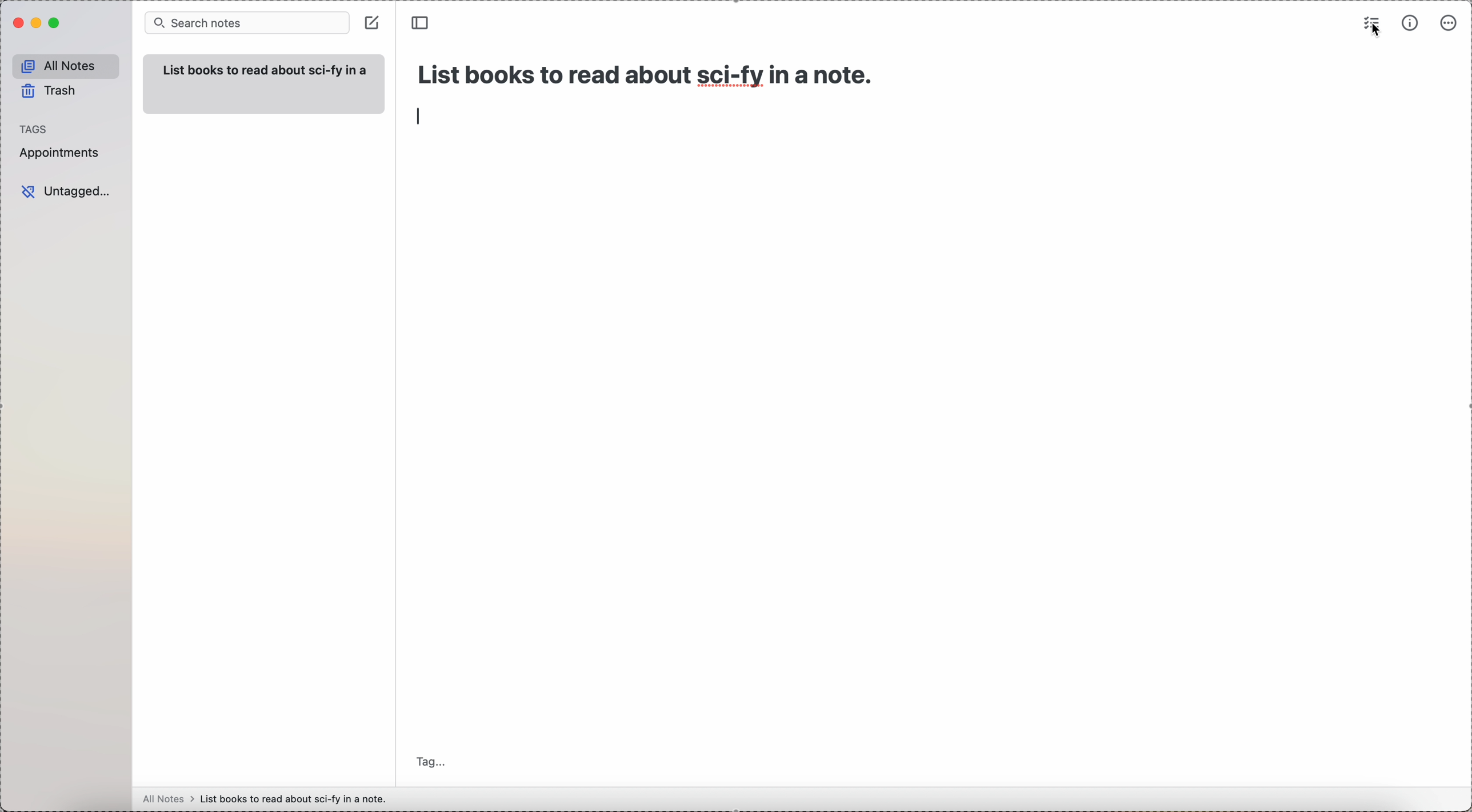 The height and width of the screenshot is (812, 1472). What do you see at coordinates (246, 23) in the screenshot?
I see `search bar` at bounding box center [246, 23].